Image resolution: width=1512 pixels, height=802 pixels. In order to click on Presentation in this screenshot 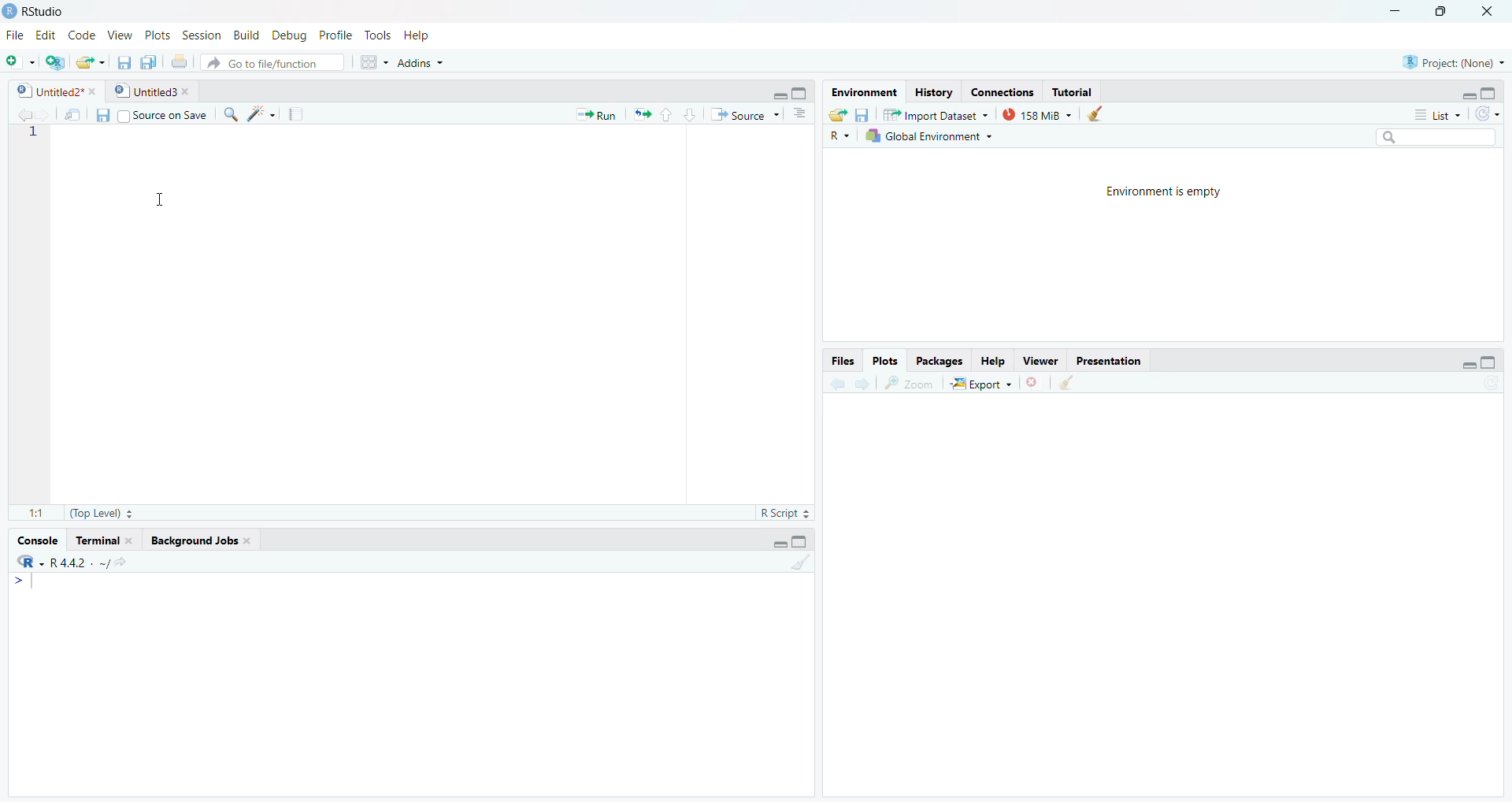, I will do `click(1110, 361)`.